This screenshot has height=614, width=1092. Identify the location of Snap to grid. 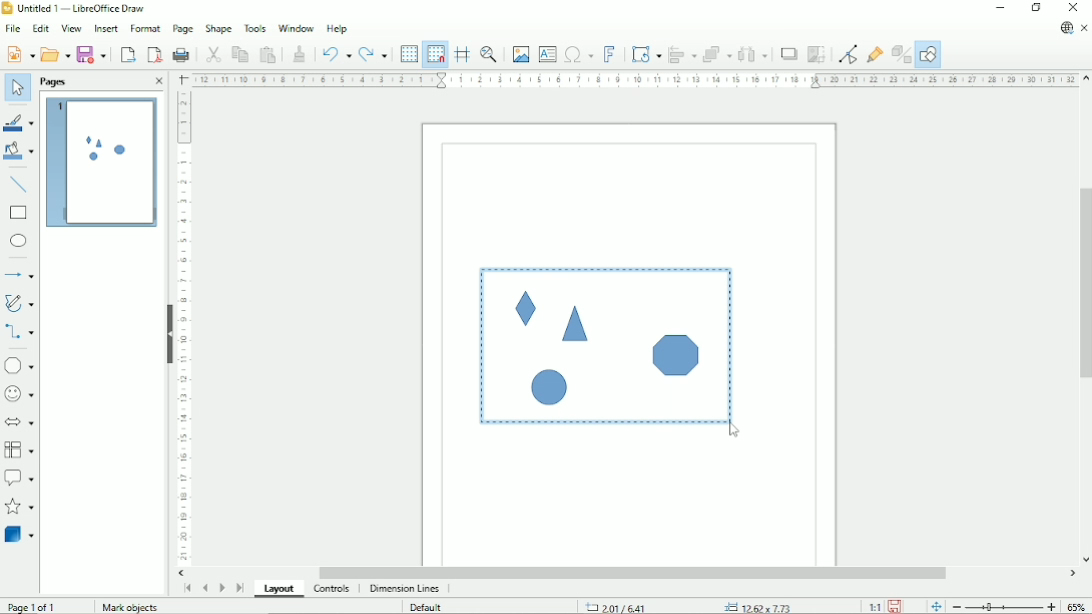
(435, 53).